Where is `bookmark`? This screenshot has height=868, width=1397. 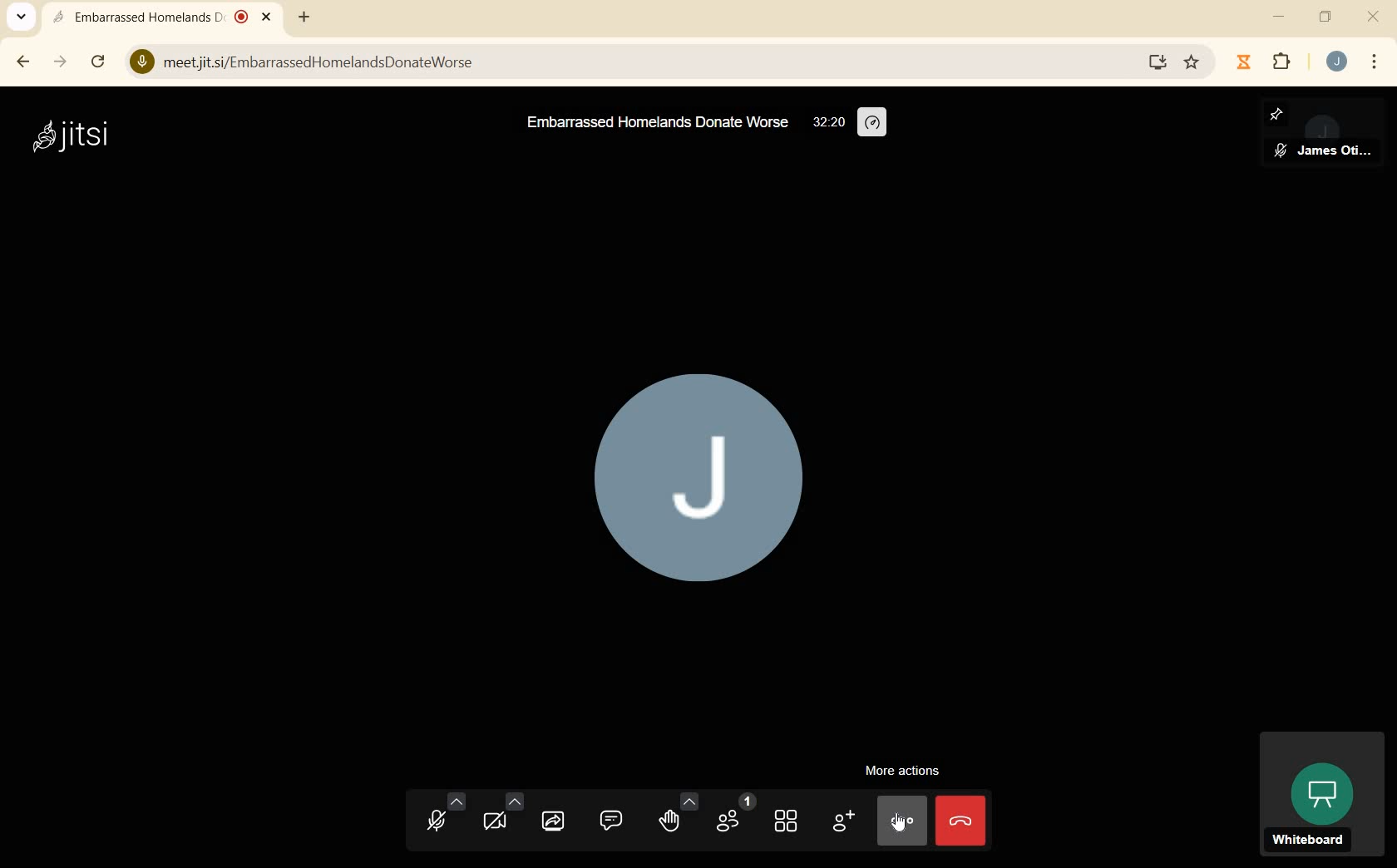
bookmark is located at coordinates (1192, 64).